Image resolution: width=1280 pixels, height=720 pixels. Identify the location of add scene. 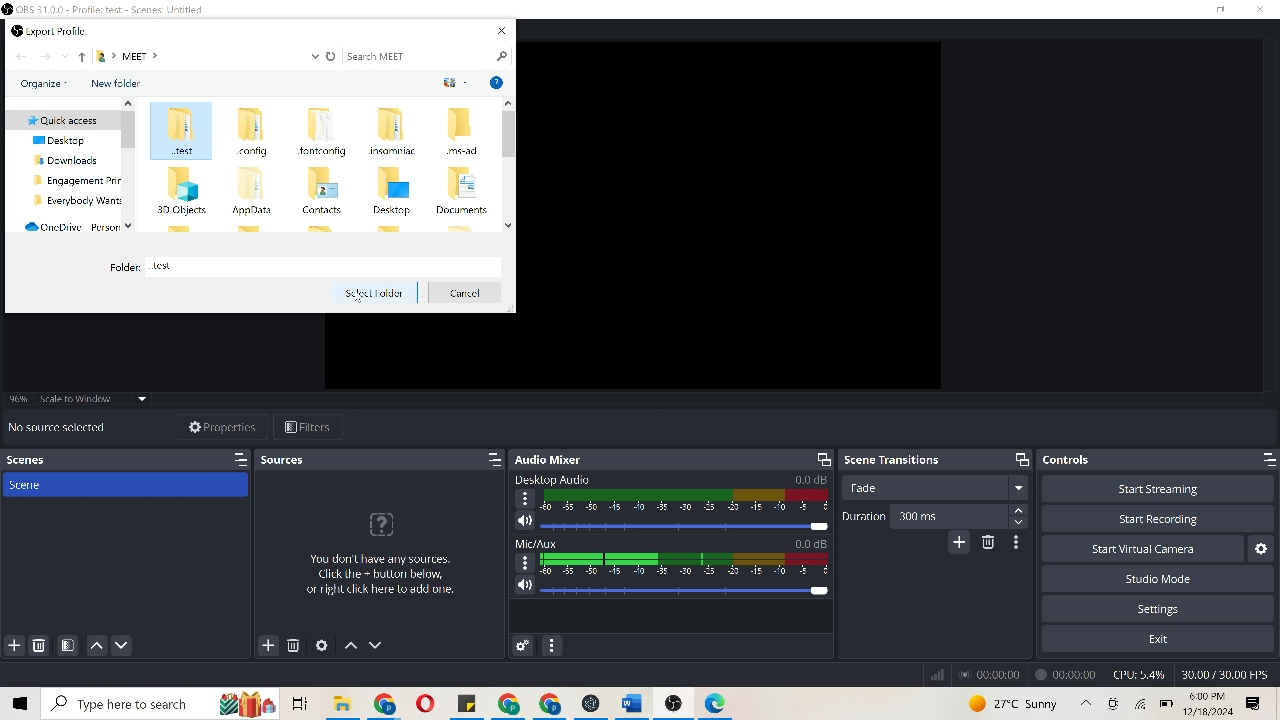
(13, 644).